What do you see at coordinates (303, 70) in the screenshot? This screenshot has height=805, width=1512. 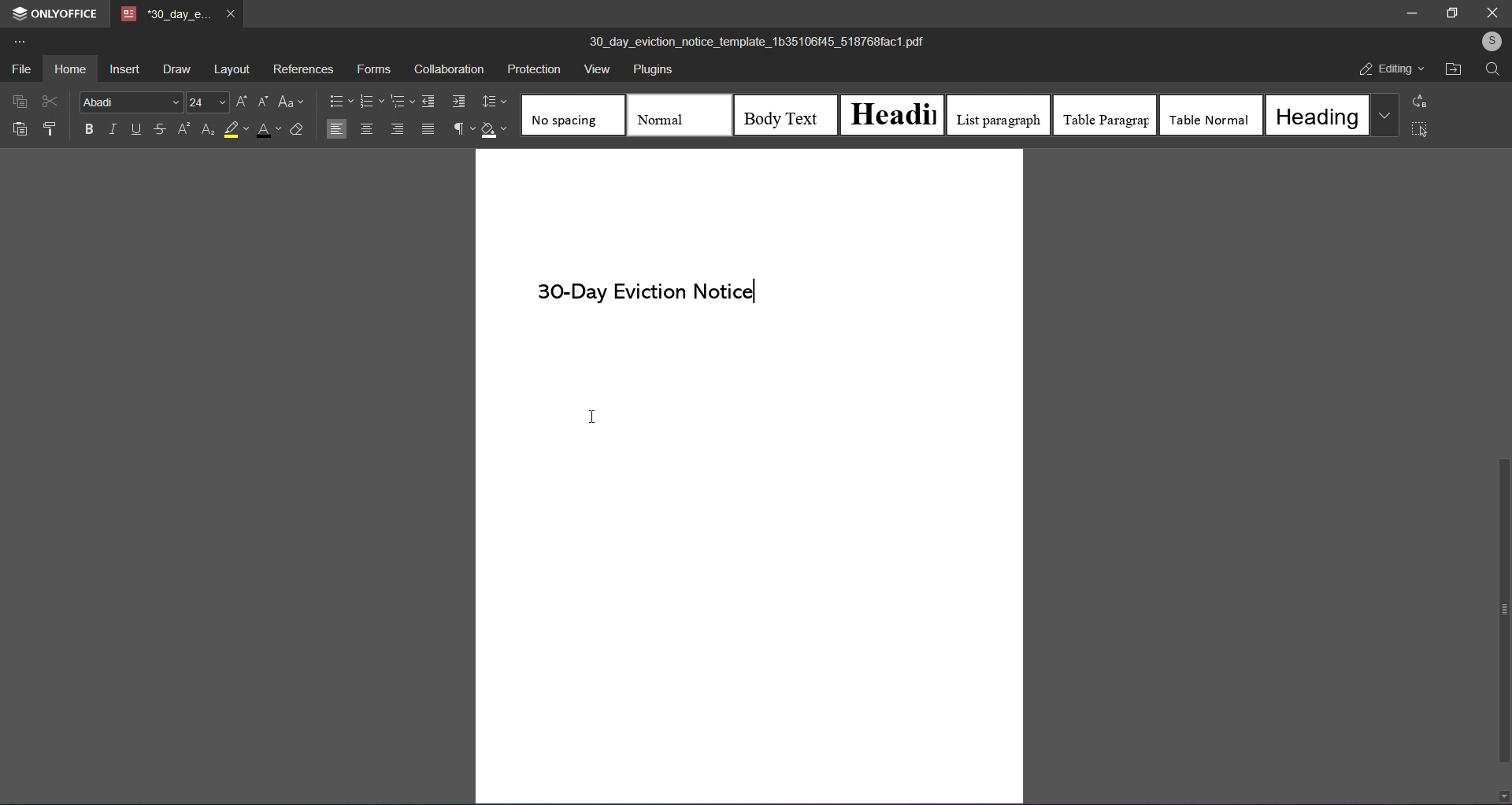 I see `references` at bounding box center [303, 70].